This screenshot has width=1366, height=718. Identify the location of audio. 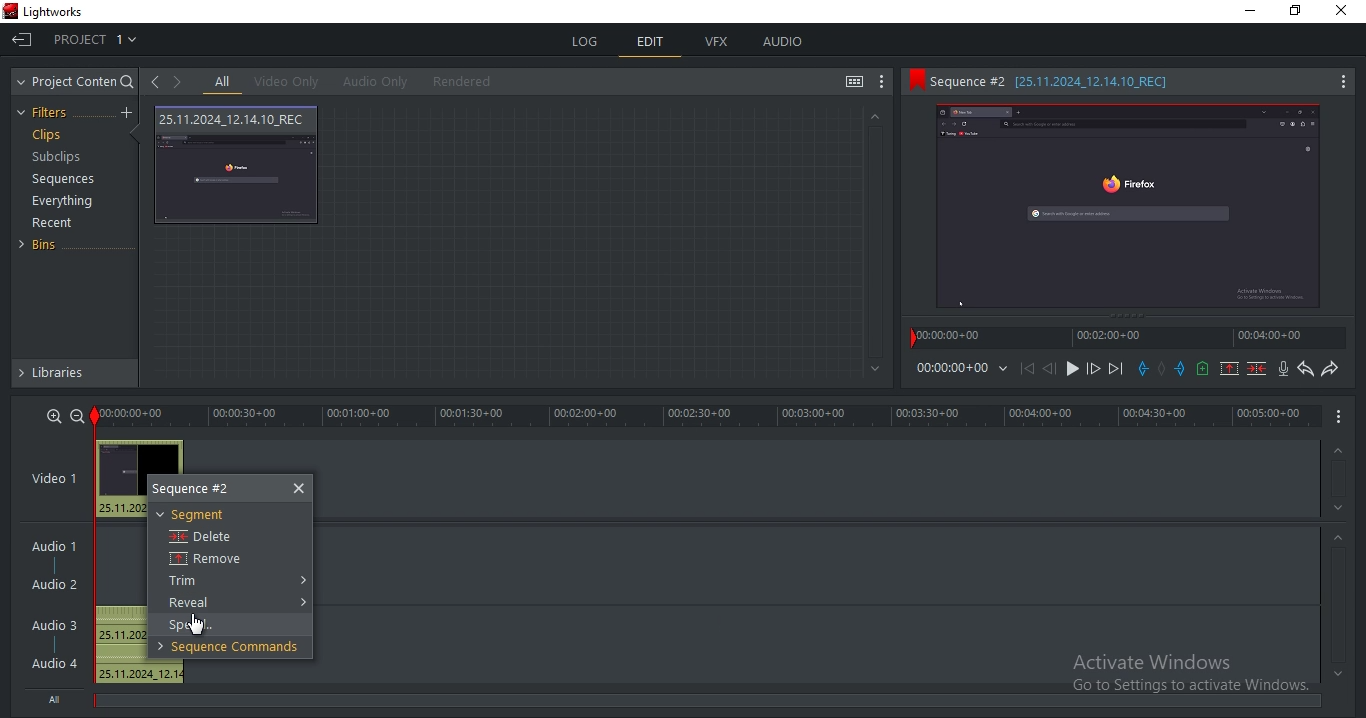
(57, 608).